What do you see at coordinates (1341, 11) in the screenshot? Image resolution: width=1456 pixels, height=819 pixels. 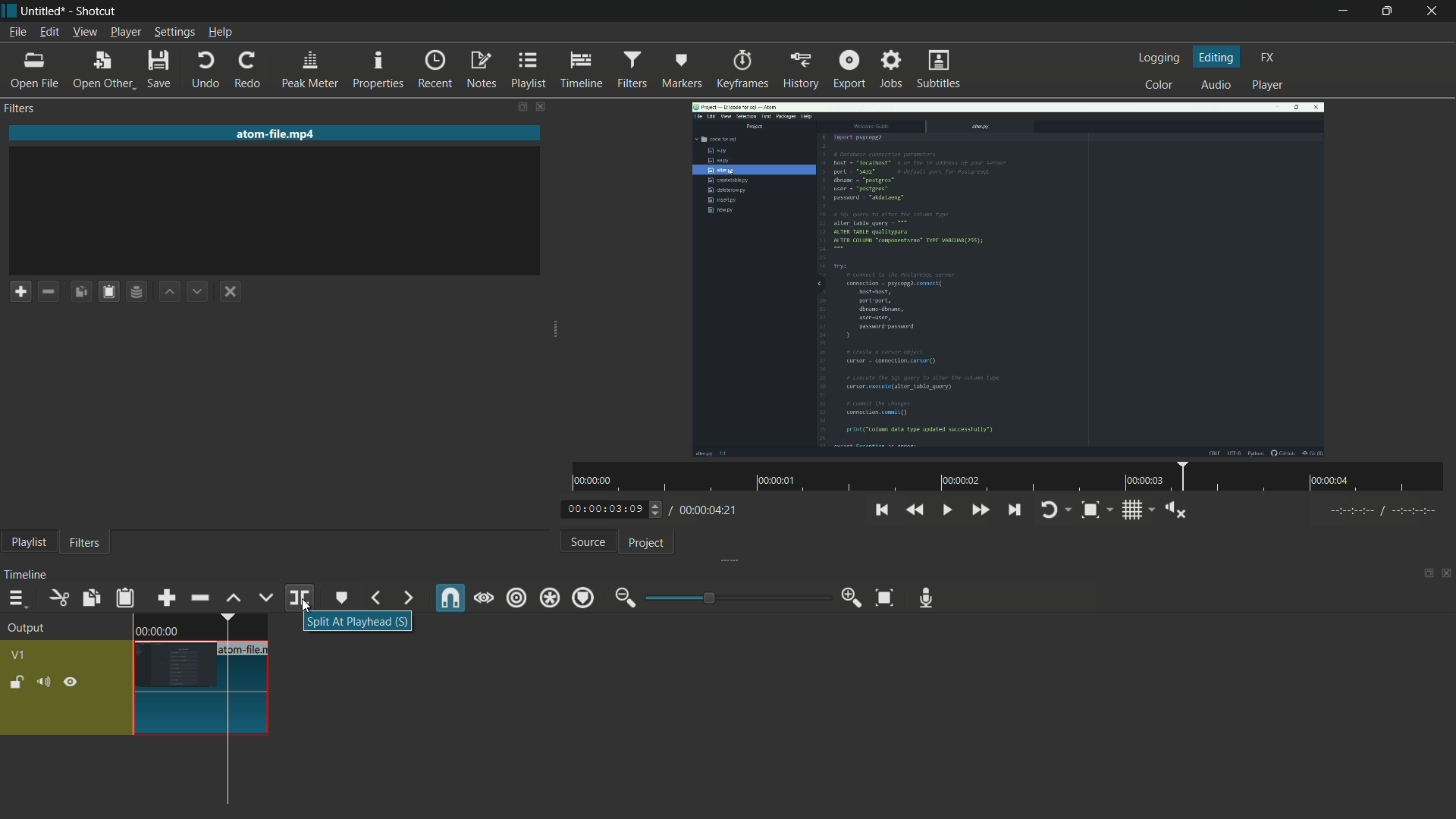 I see `minimize` at bounding box center [1341, 11].